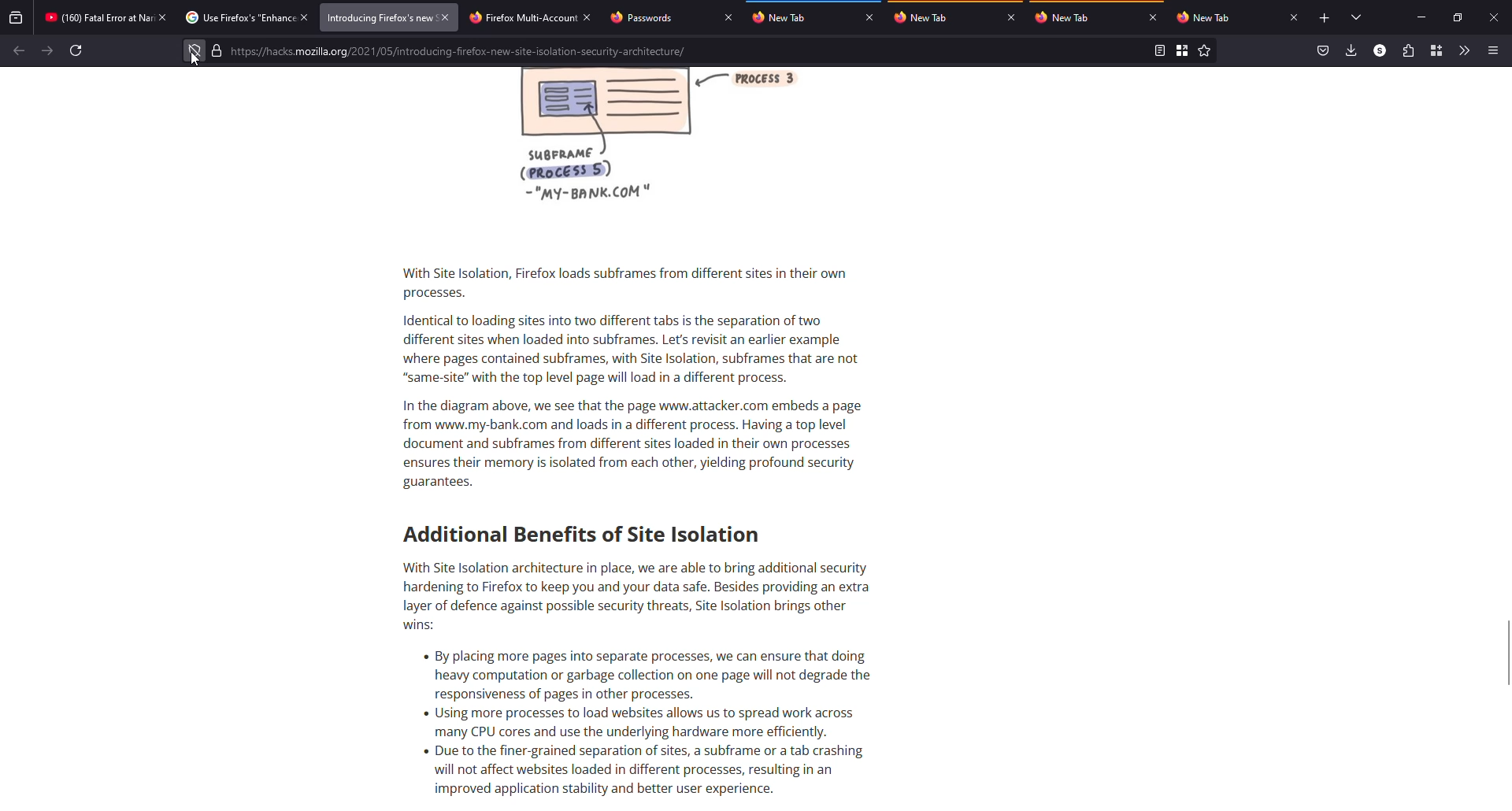 The height and width of the screenshot is (811, 1512). What do you see at coordinates (1423, 17) in the screenshot?
I see `minimize` at bounding box center [1423, 17].